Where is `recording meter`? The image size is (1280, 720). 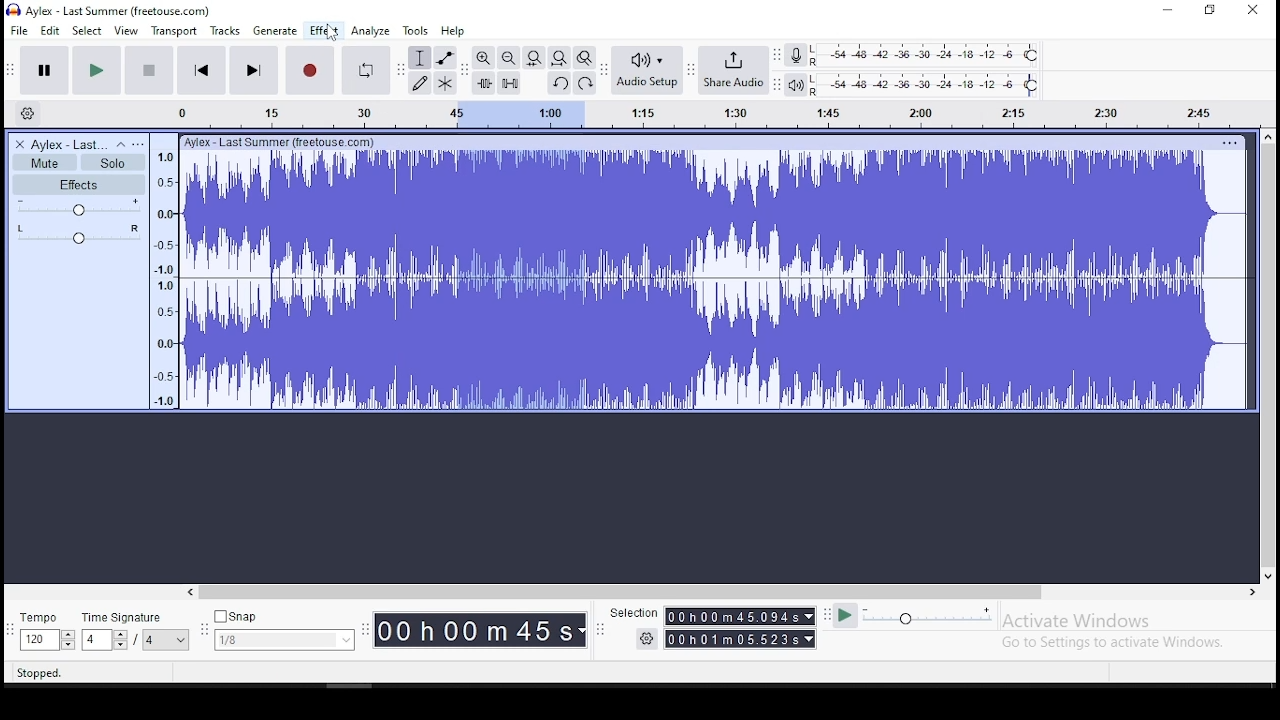 recording meter is located at coordinates (802, 54).